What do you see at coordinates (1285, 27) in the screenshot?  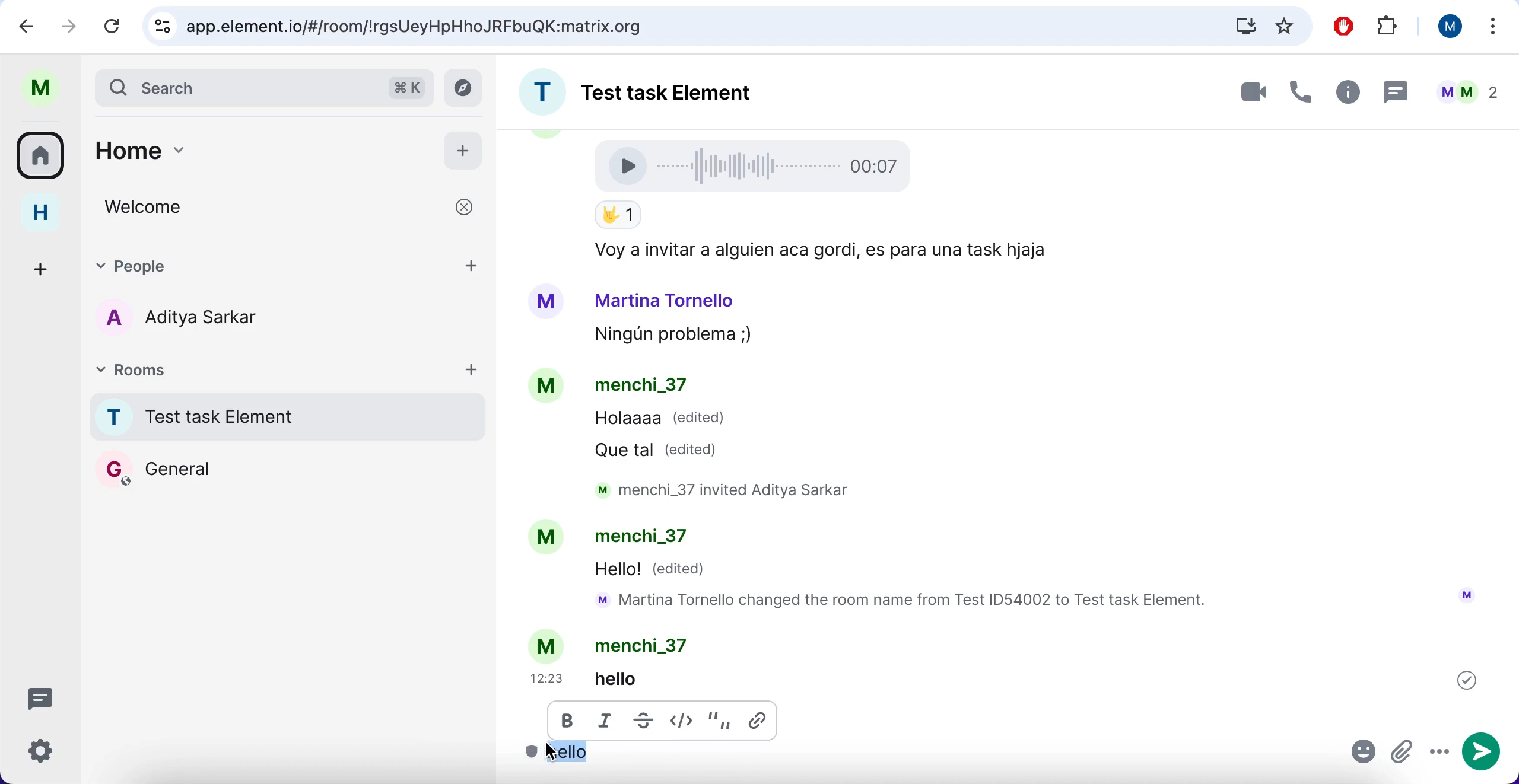 I see `favorites` at bounding box center [1285, 27].